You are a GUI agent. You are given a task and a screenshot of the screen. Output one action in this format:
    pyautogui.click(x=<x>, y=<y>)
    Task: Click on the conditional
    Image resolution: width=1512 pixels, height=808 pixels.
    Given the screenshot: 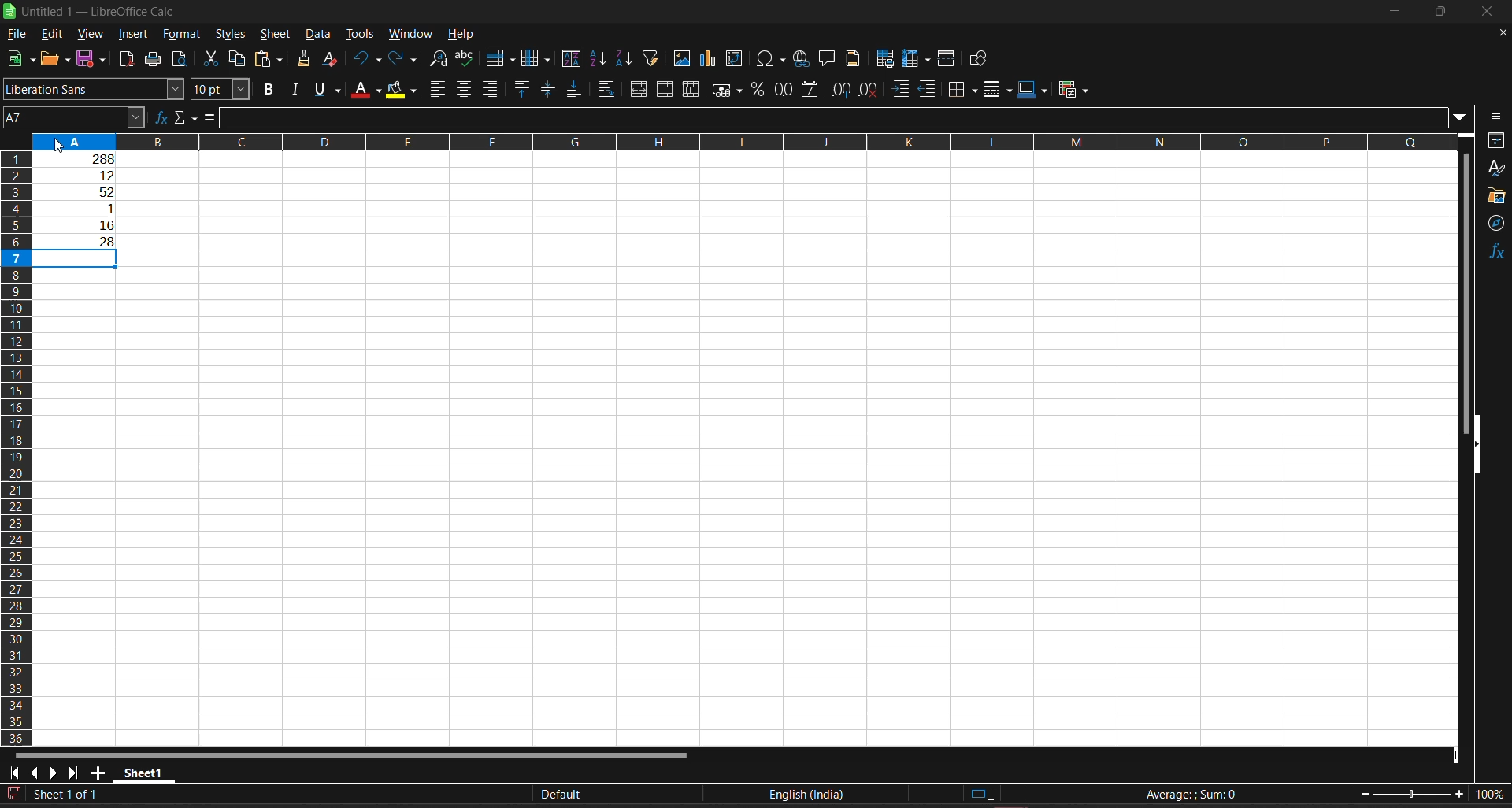 What is the action you would take?
    pyautogui.click(x=1074, y=88)
    